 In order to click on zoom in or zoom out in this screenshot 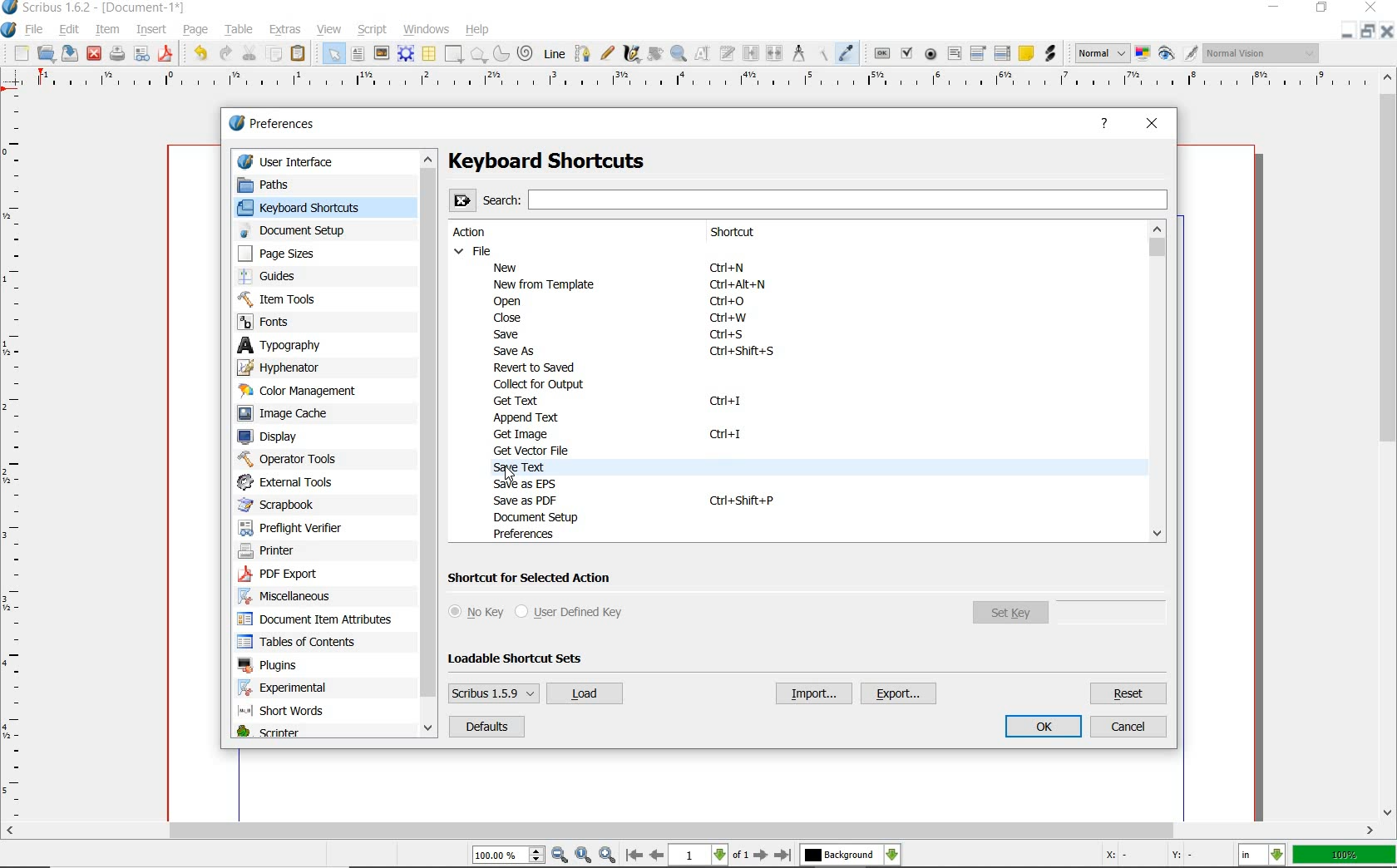, I will do `click(679, 55)`.